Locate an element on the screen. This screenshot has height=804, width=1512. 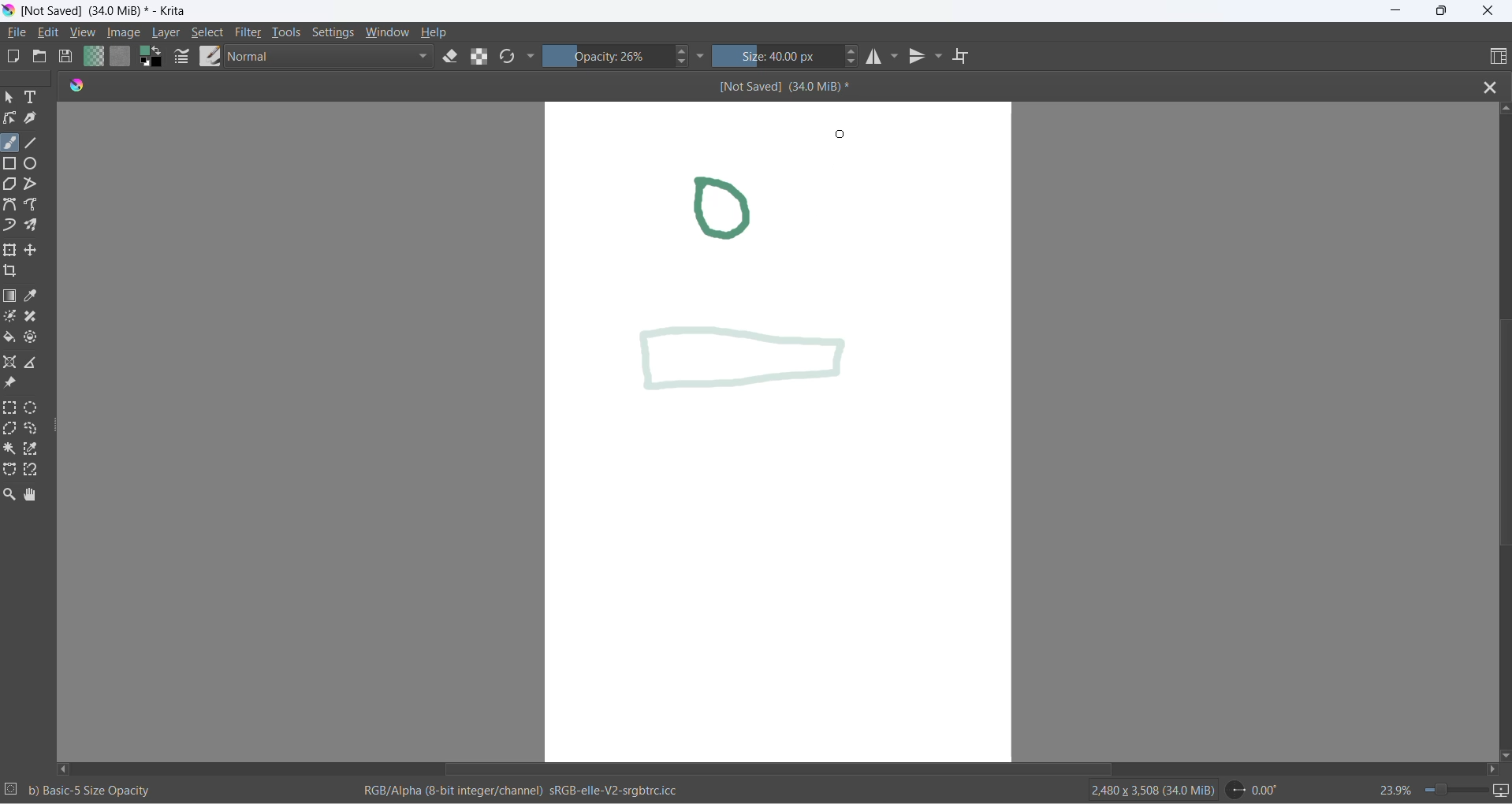
edit is located at coordinates (50, 32).